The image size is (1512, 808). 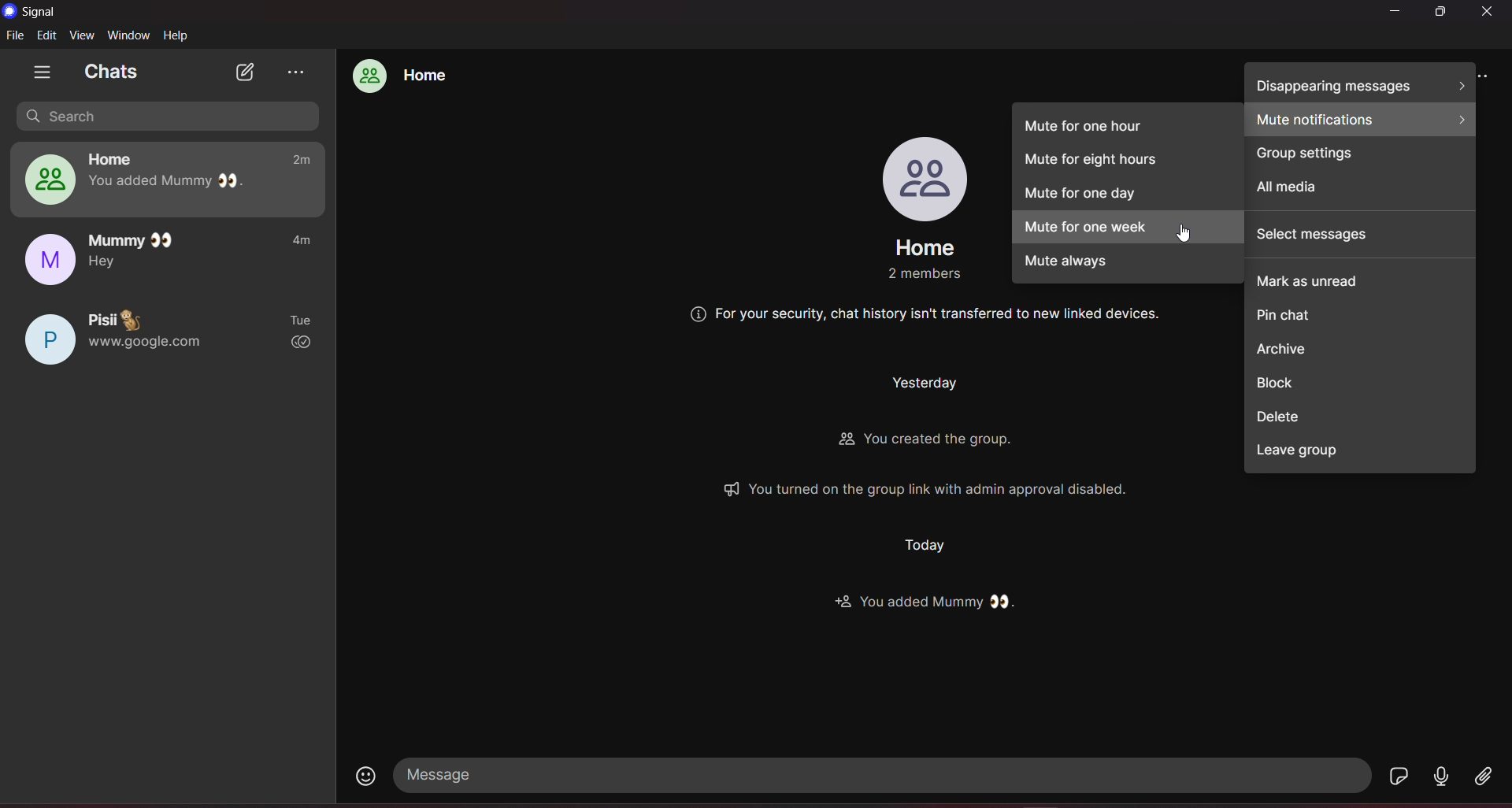 What do you see at coordinates (884, 775) in the screenshot?
I see `message` at bounding box center [884, 775].